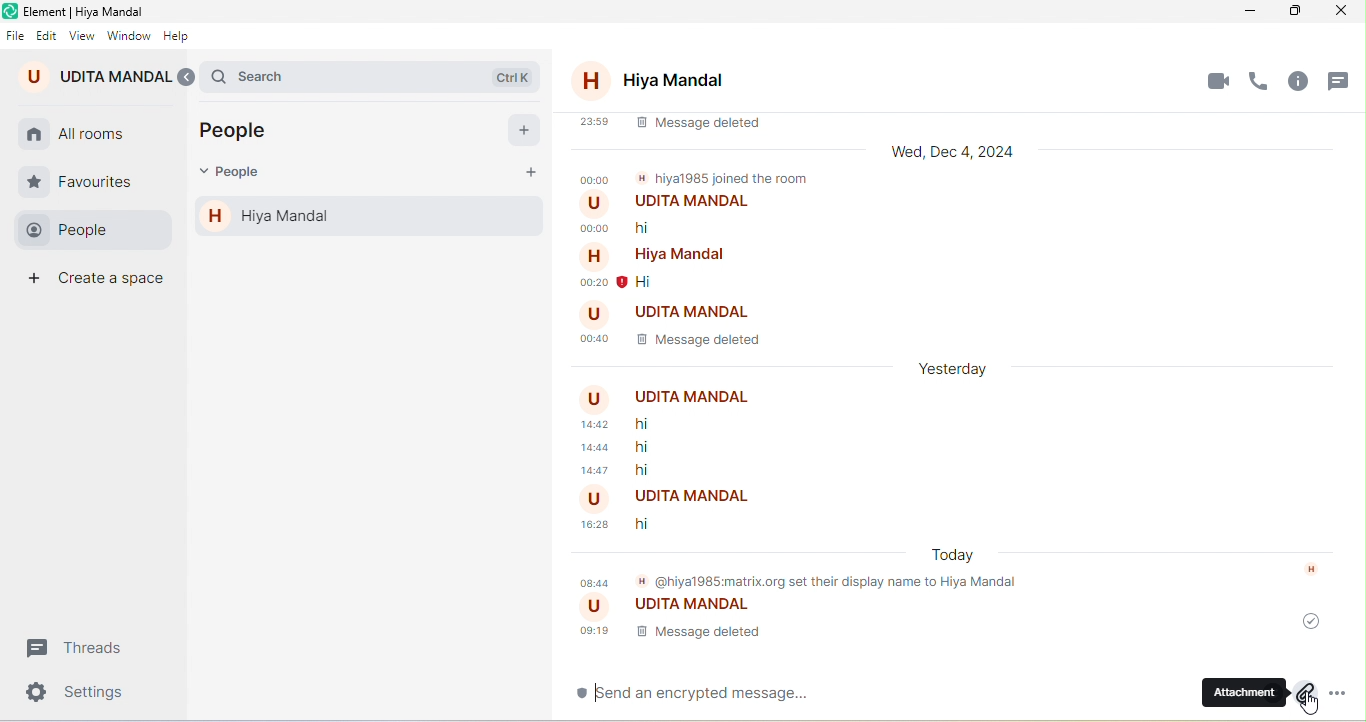 The image size is (1366, 722). I want to click on voice call, so click(1263, 82).